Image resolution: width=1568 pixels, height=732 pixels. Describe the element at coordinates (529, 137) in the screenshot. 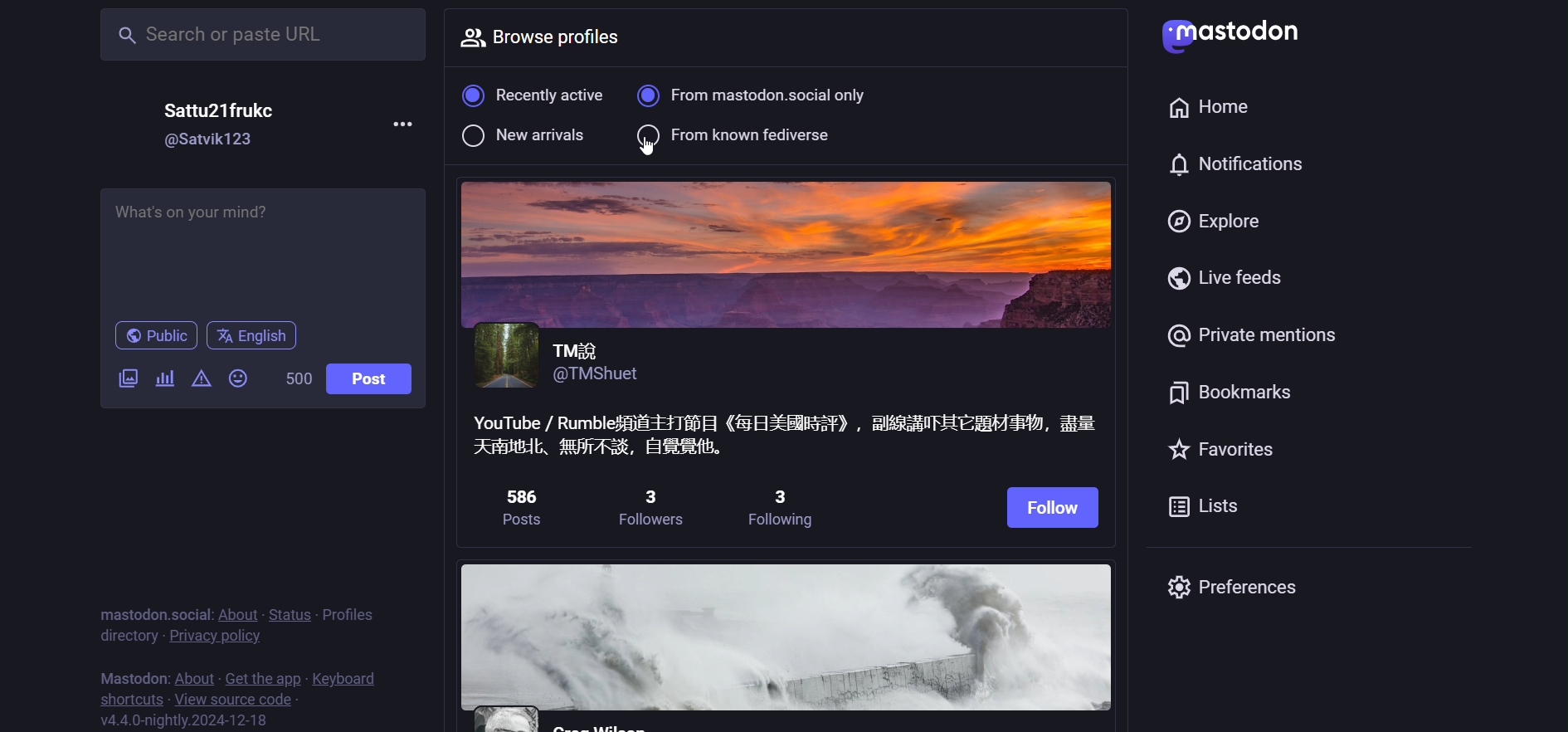

I see `new arrival` at that location.